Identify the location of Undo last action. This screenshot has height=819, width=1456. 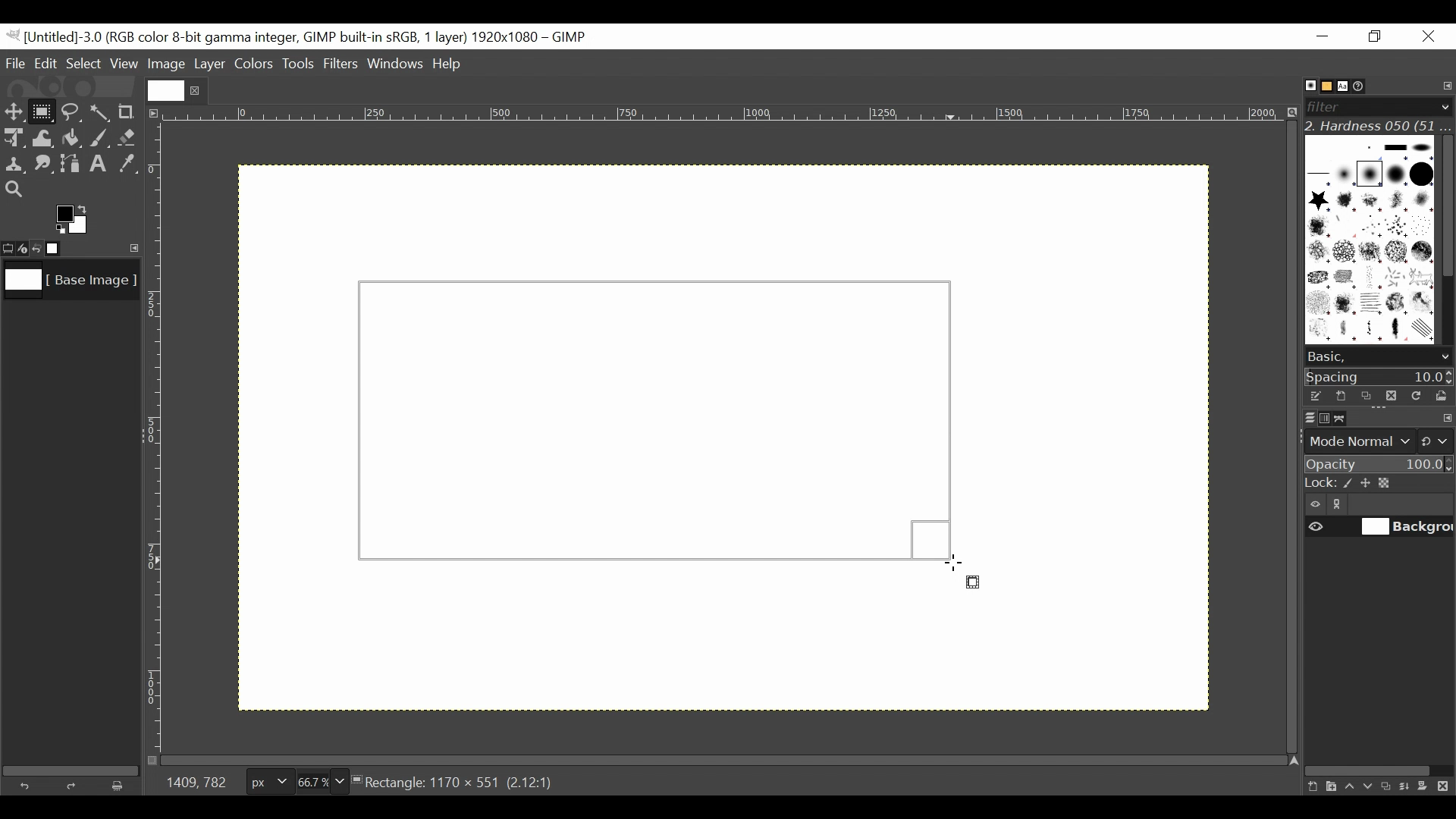
(37, 248).